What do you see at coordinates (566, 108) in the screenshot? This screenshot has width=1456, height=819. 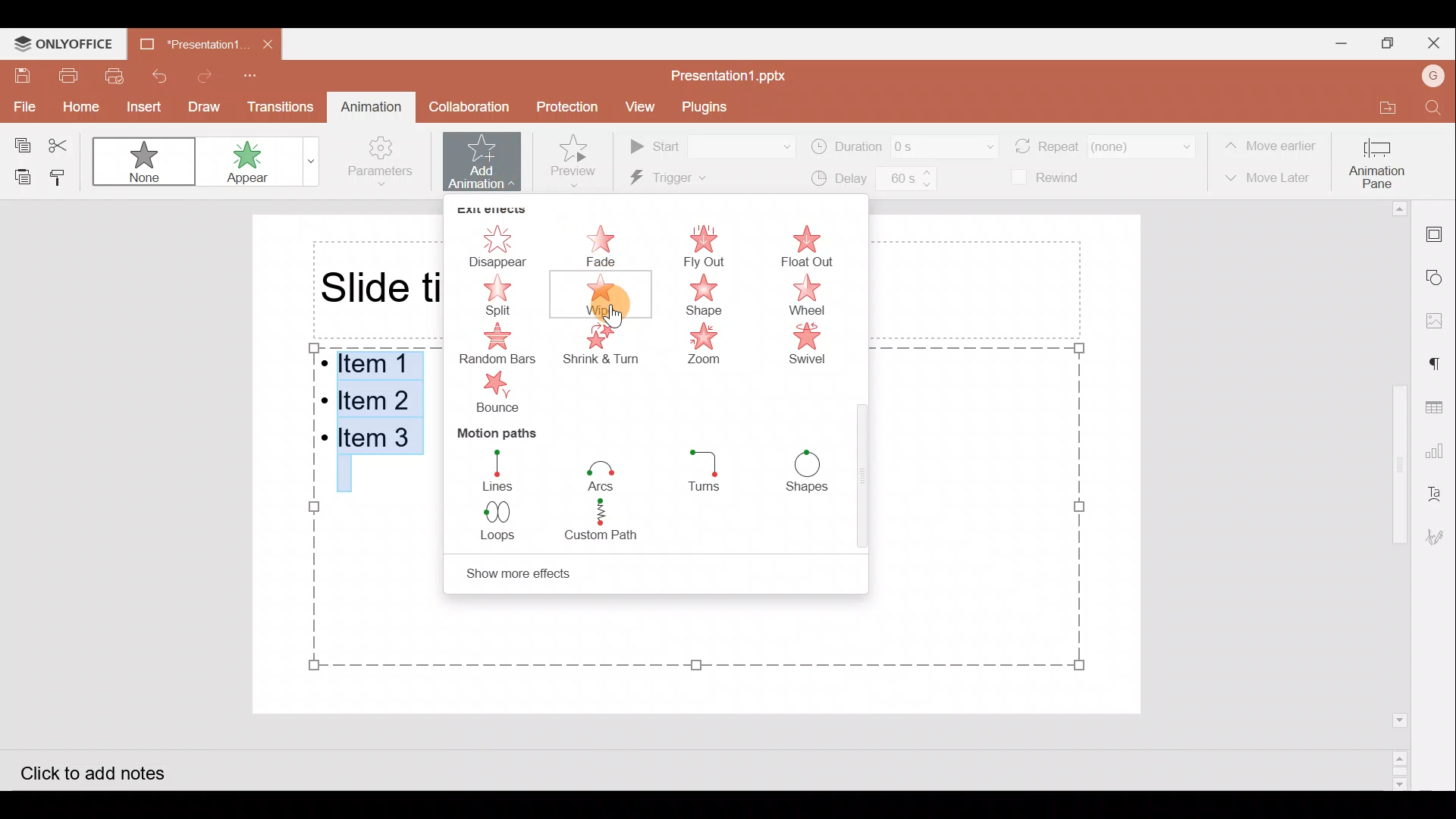 I see `Protection` at bounding box center [566, 108].